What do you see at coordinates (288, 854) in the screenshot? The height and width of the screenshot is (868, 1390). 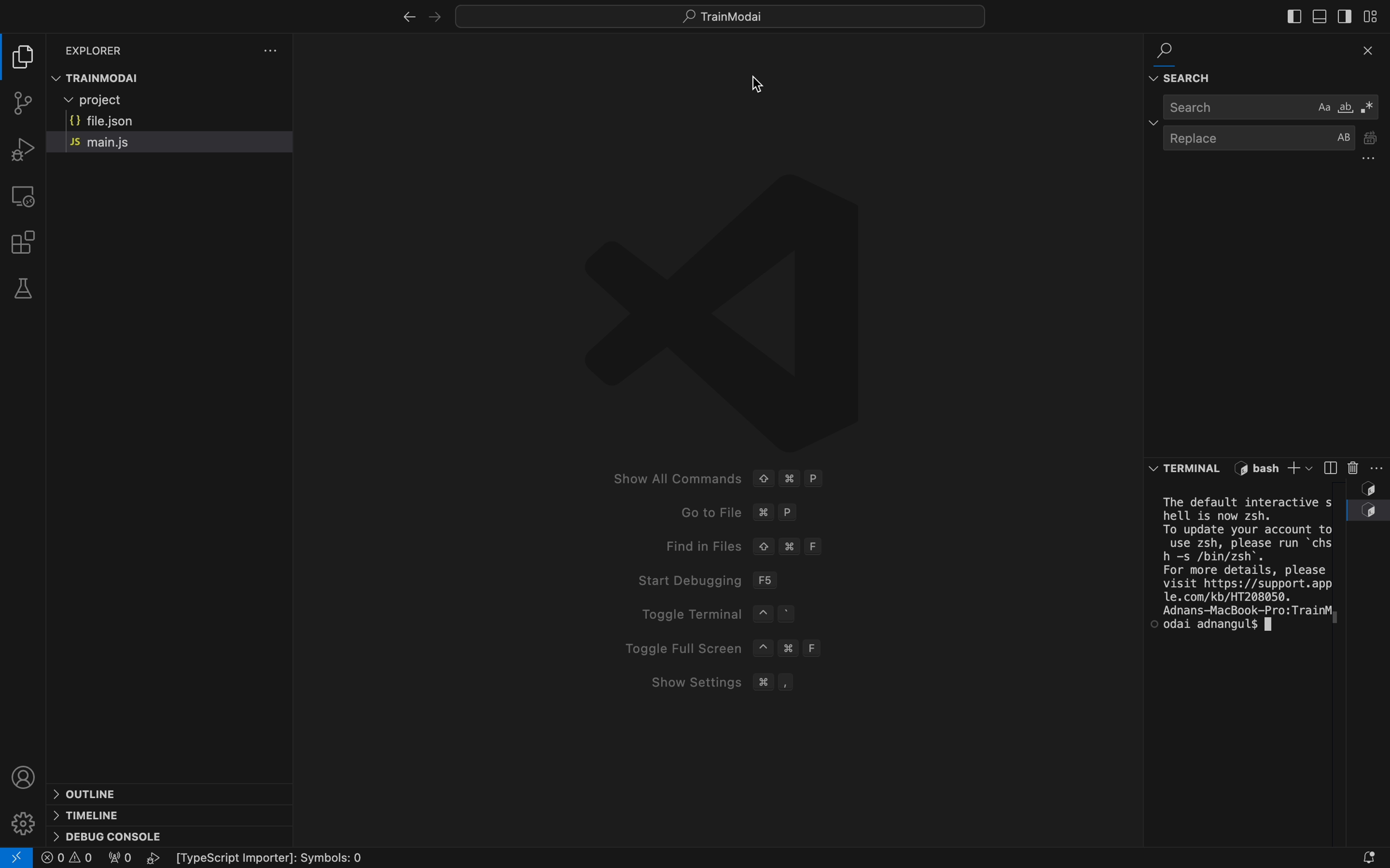 I see `` at bounding box center [288, 854].